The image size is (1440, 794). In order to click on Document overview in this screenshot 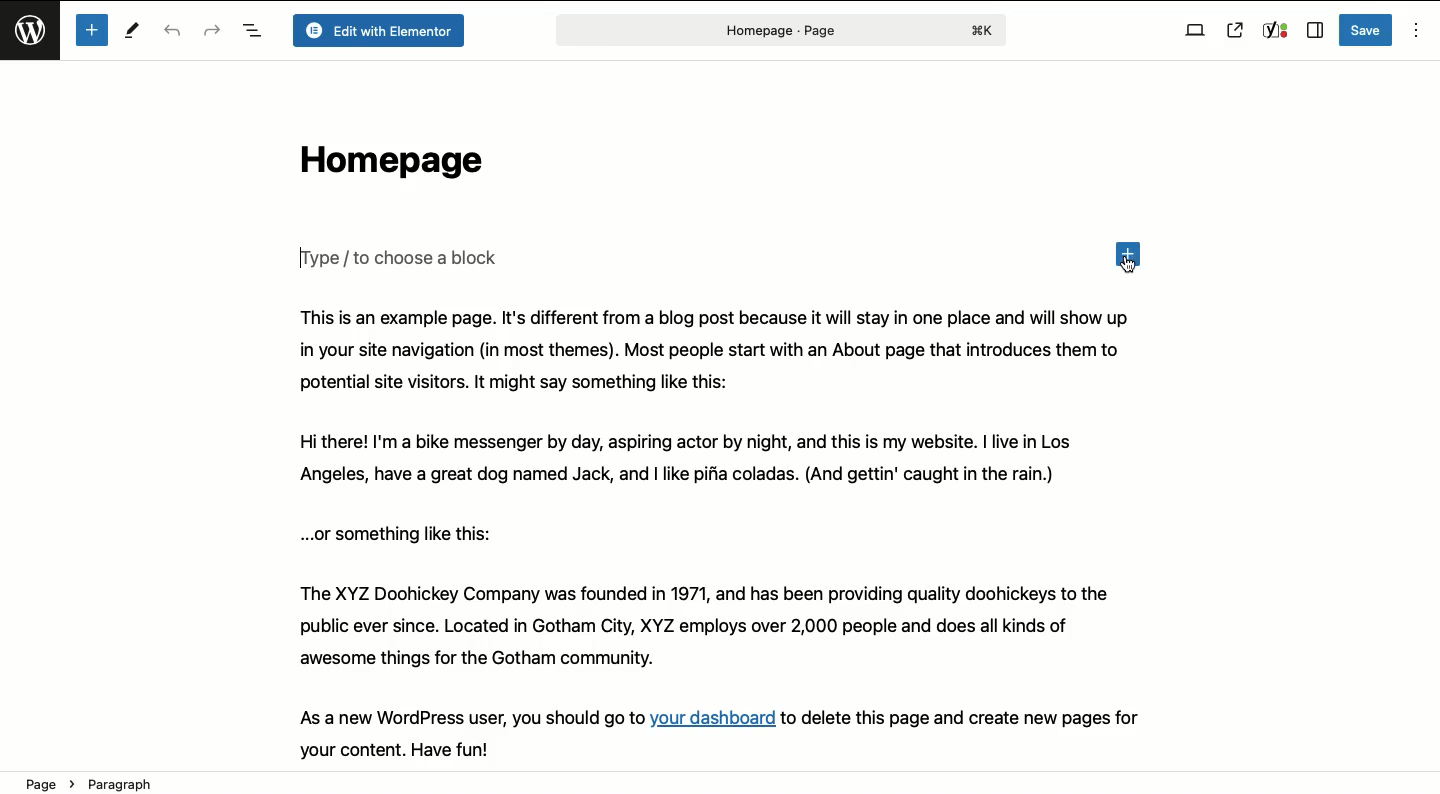, I will do `click(252, 32)`.